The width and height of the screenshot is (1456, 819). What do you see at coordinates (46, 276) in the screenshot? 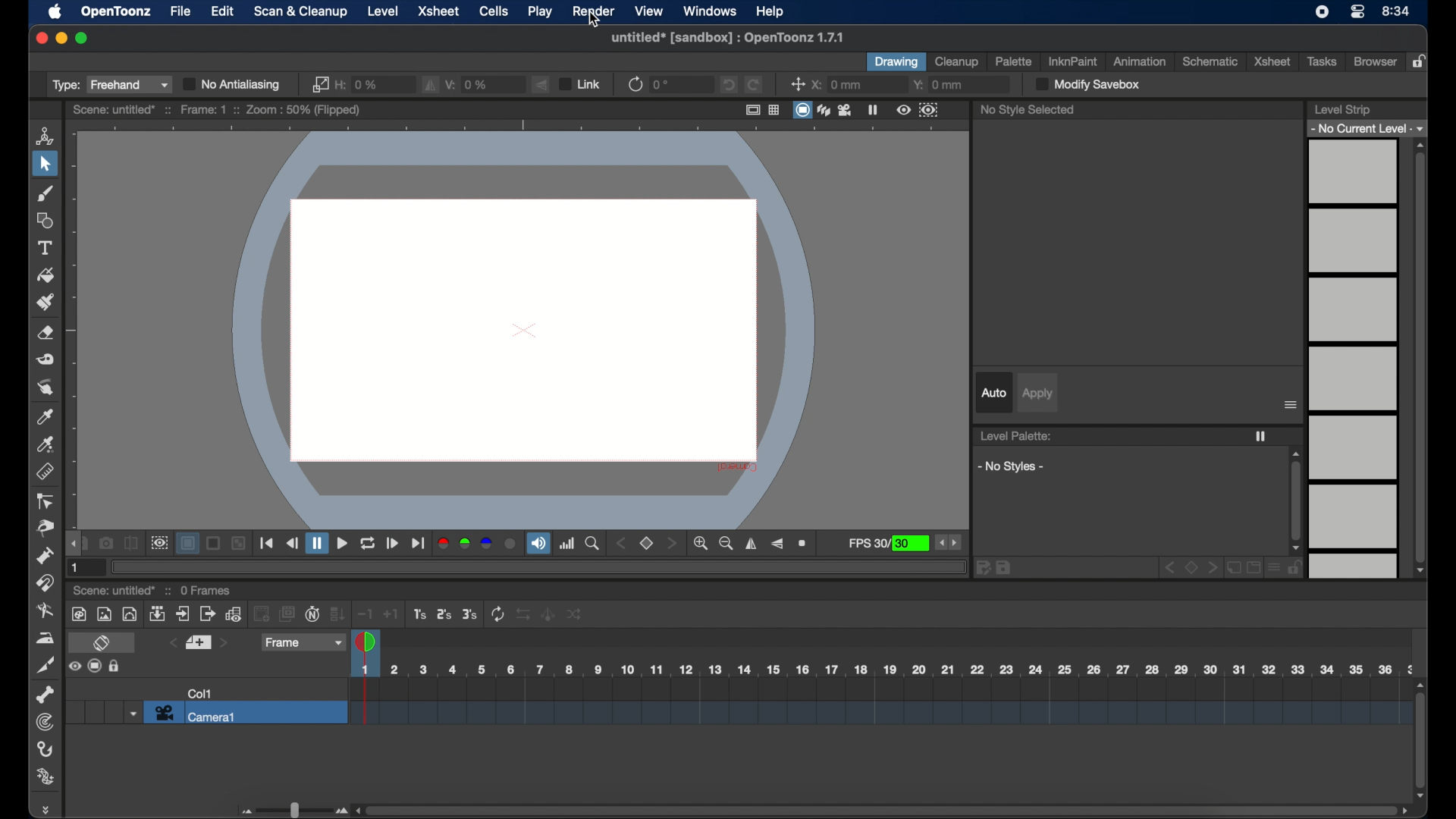
I see `fill tool` at bounding box center [46, 276].